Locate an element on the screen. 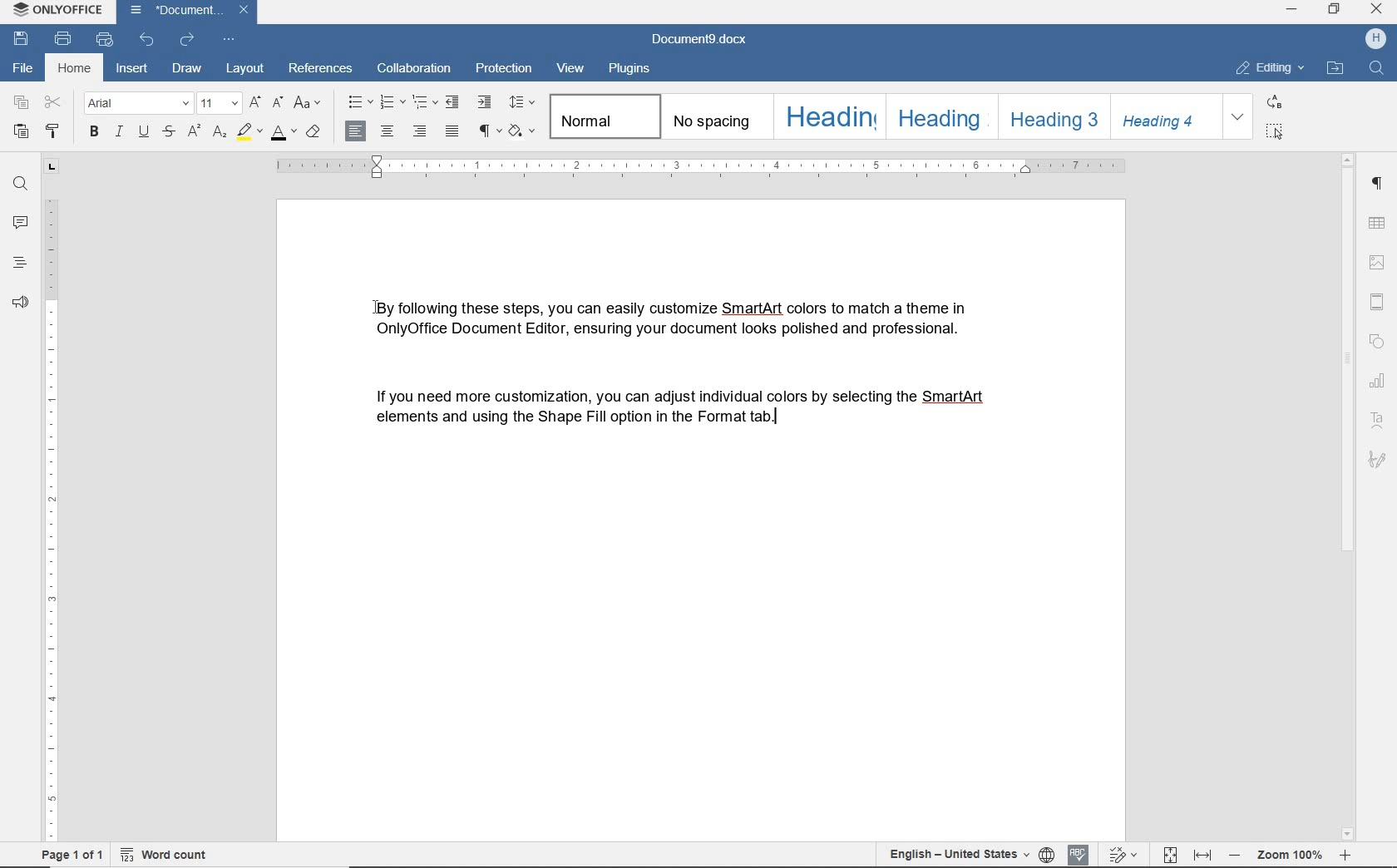  align right is located at coordinates (418, 131).